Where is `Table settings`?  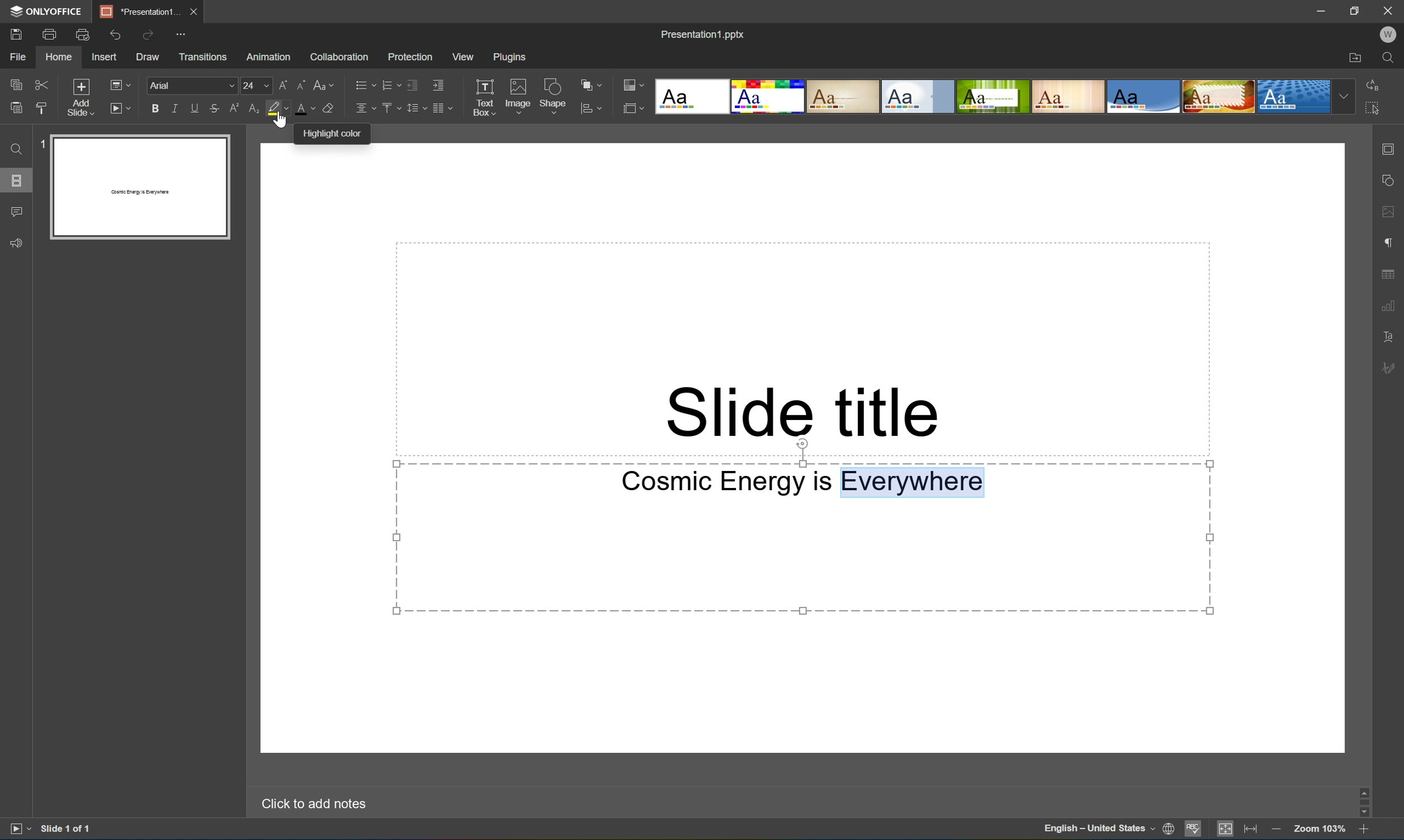
Table settings is located at coordinates (1390, 273).